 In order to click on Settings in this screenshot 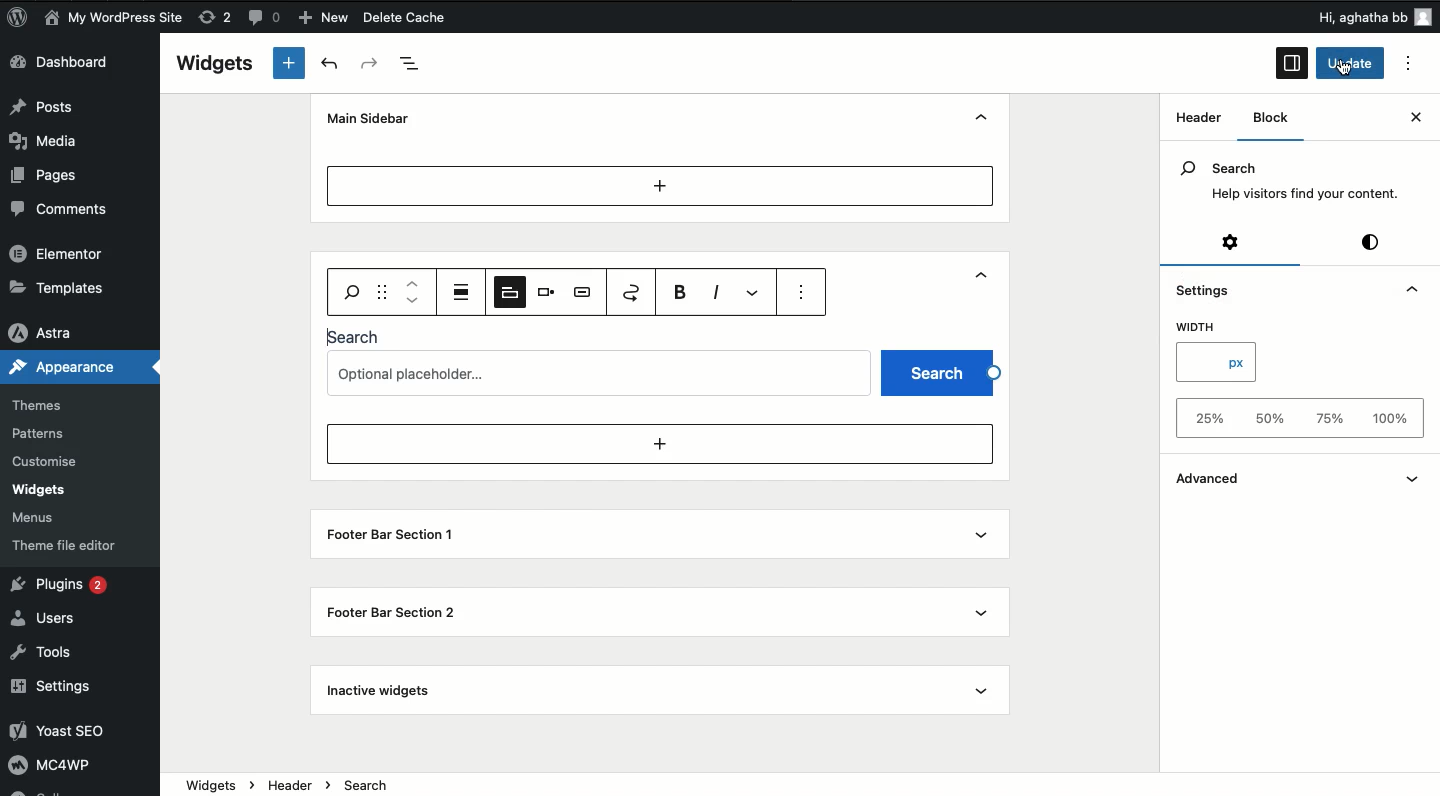, I will do `click(1203, 287)`.